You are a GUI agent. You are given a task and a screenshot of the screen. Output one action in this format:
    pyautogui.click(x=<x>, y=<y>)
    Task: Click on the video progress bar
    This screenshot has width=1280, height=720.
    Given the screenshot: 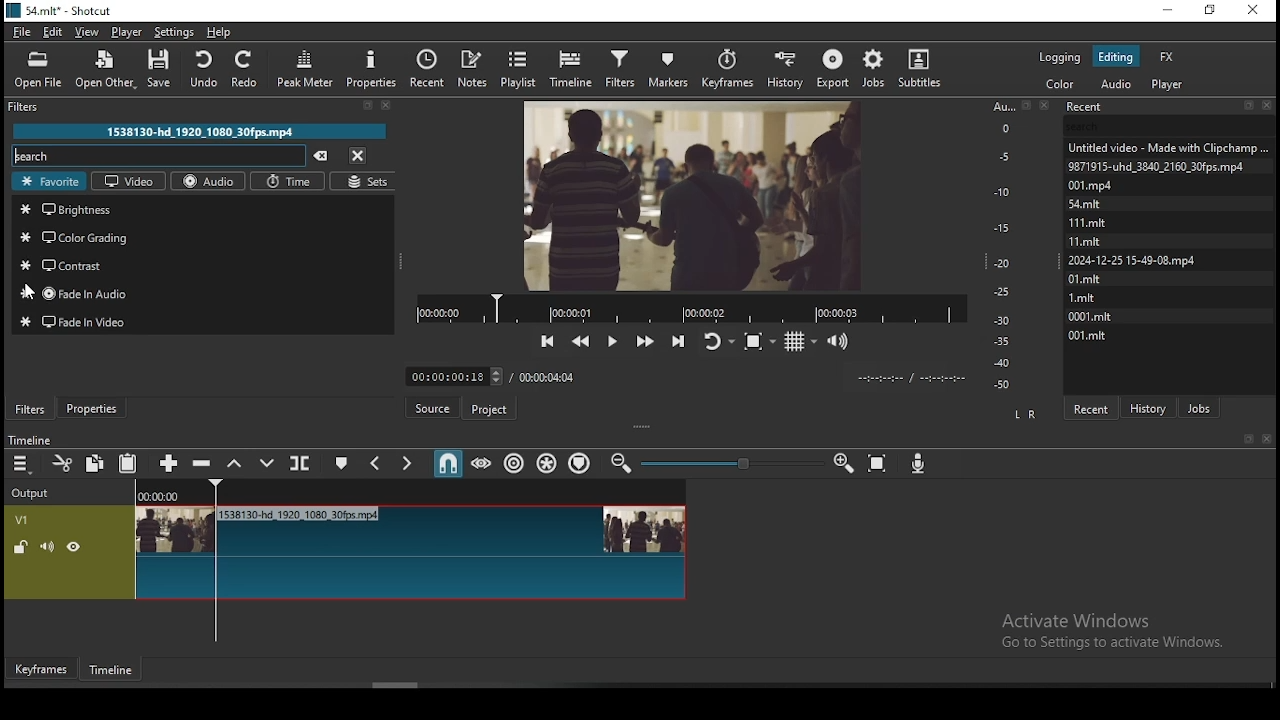 What is the action you would take?
    pyautogui.click(x=685, y=307)
    